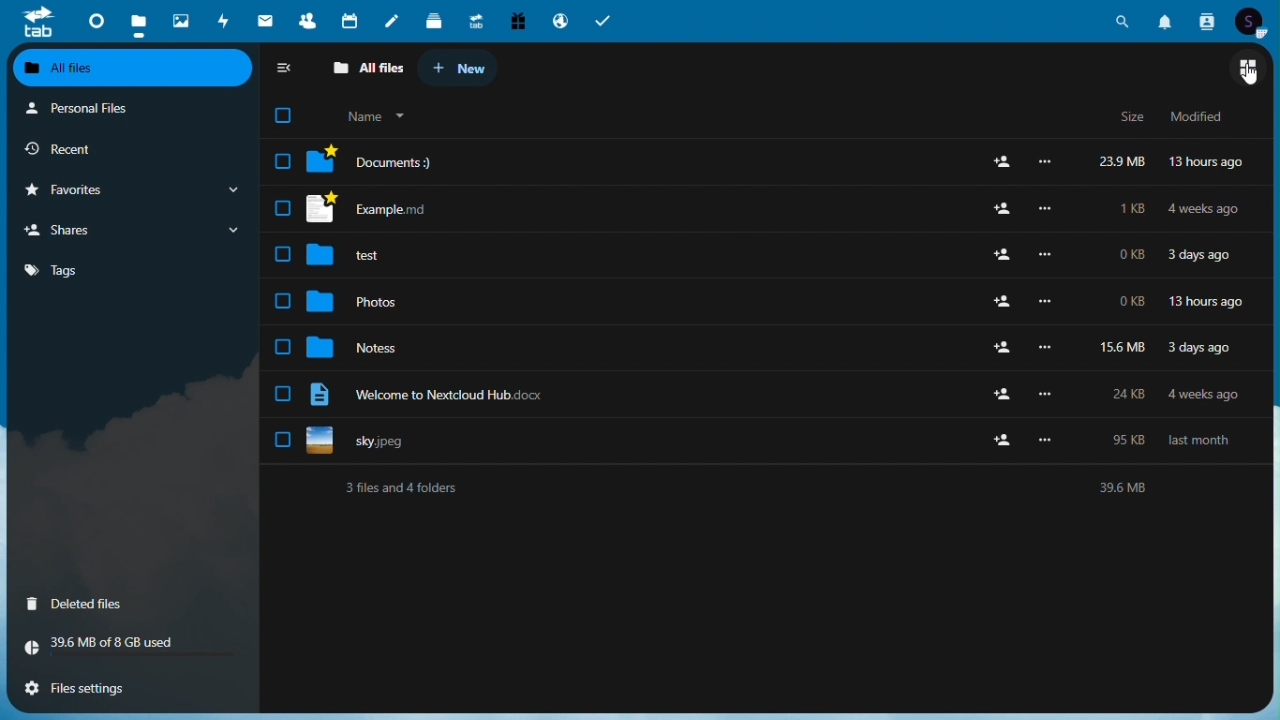 The height and width of the screenshot is (720, 1280). I want to click on checkbox, so click(280, 253).